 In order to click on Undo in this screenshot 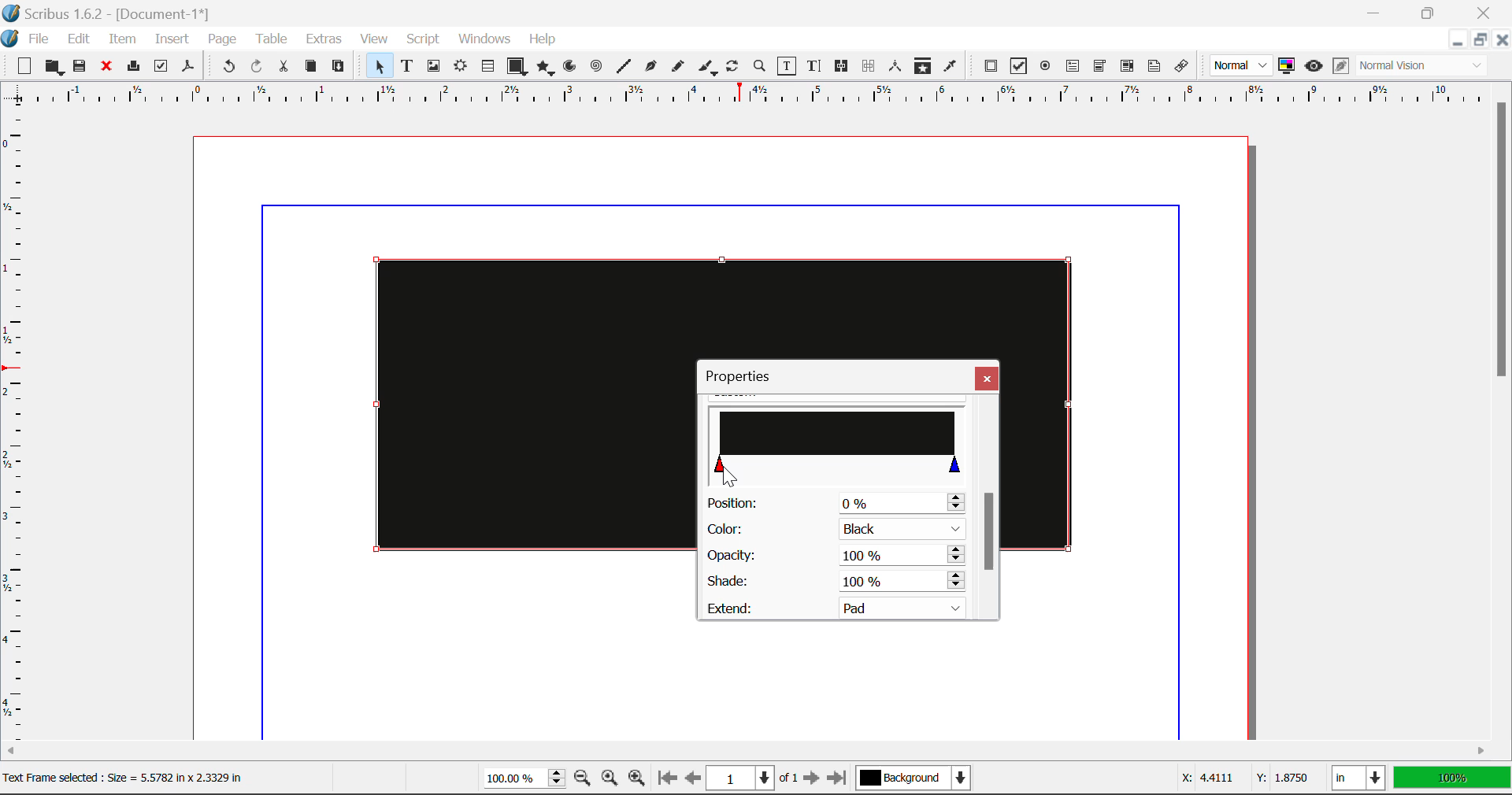, I will do `click(228, 68)`.